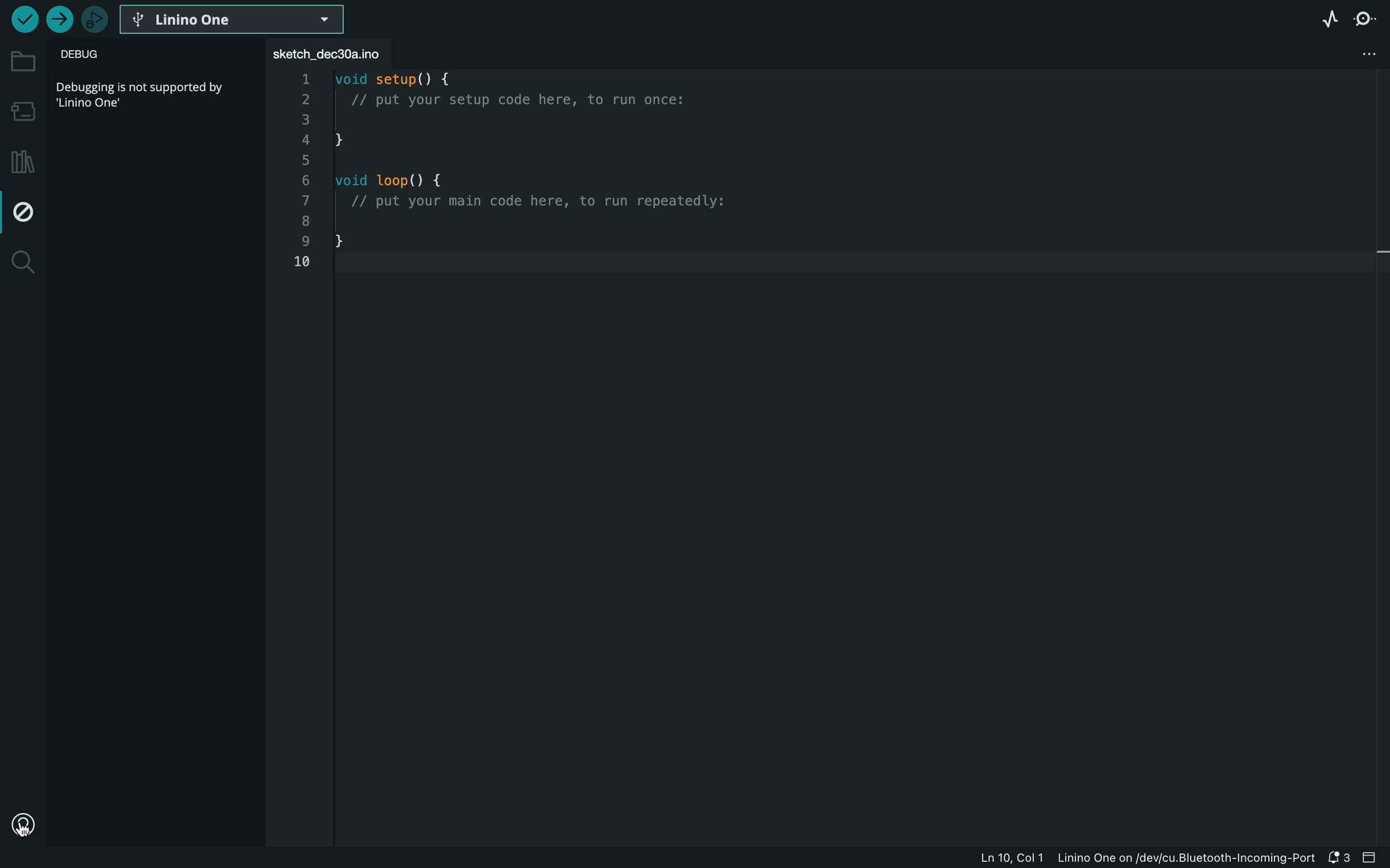  What do you see at coordinates (1341, 858) in the screenshot?
I see `notification` at bounding box center [1341, 858].